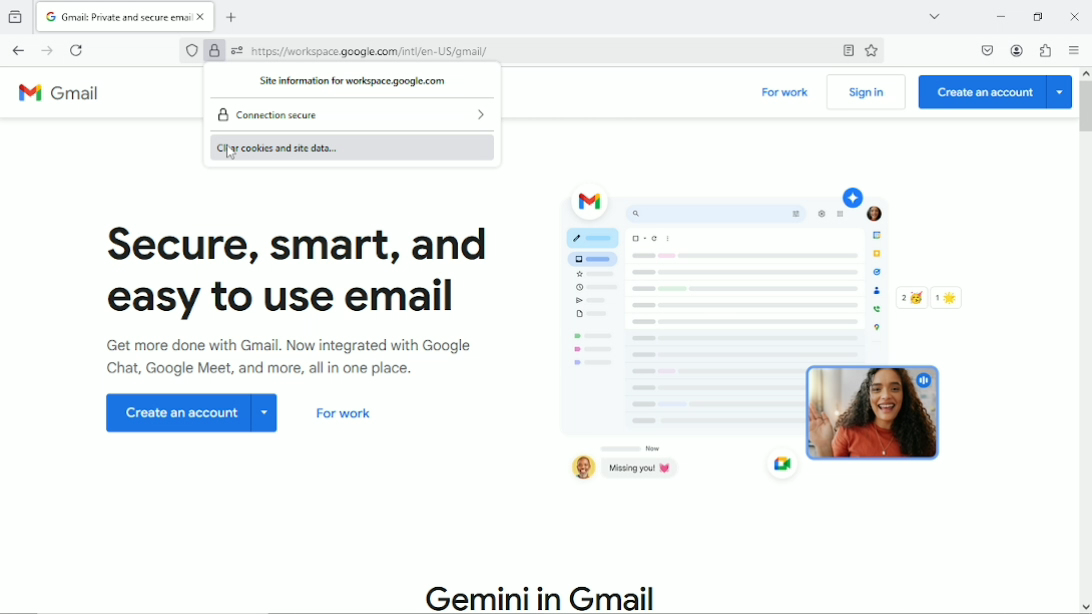 The image size is (1092, 614). What do you see at coordinates (18, 50) in the screenshot?
I see `Go back` at bounding box center [18, 50].